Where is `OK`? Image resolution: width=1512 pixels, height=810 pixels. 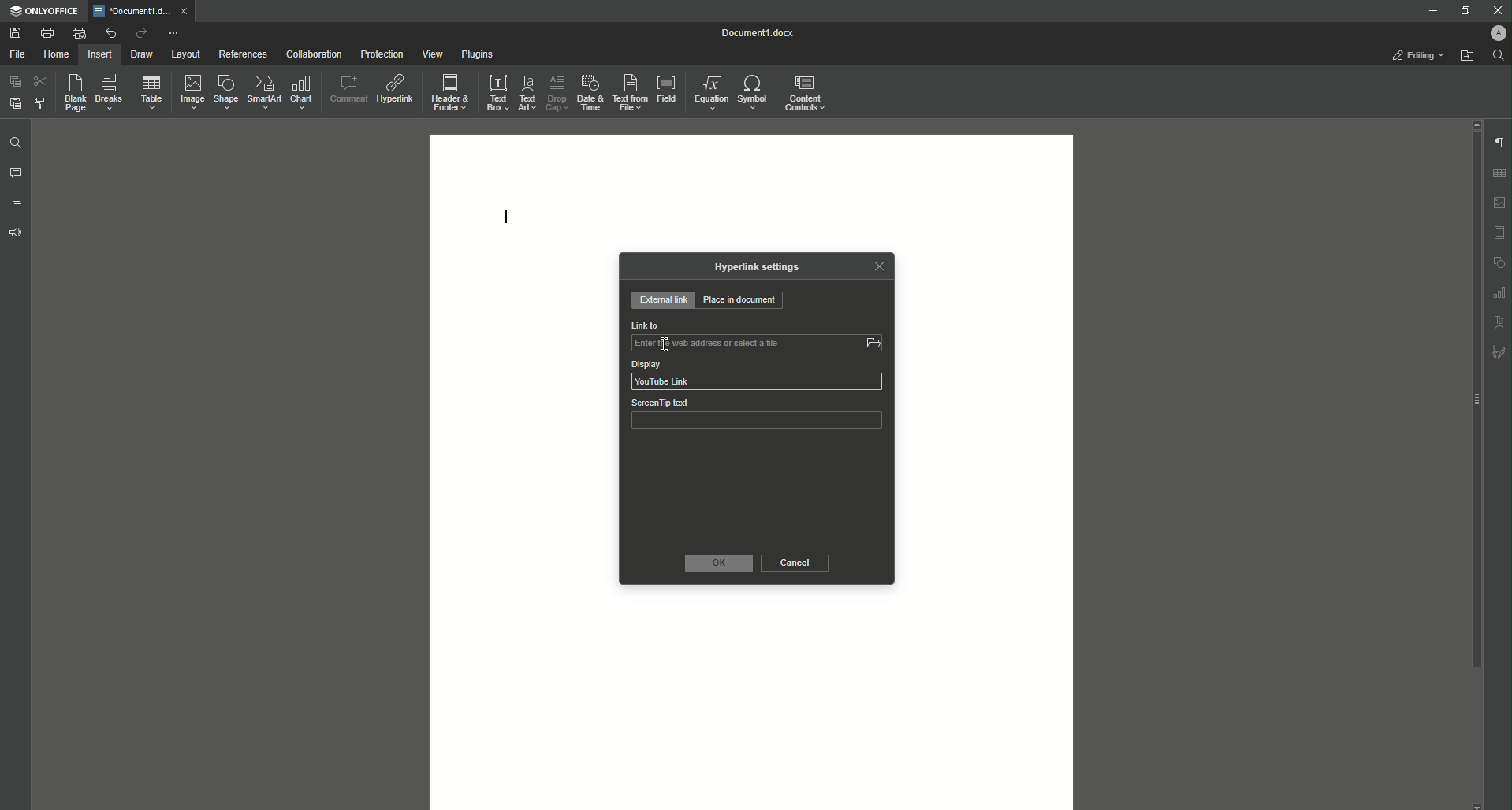 OK is located at coordinates (718, 563).